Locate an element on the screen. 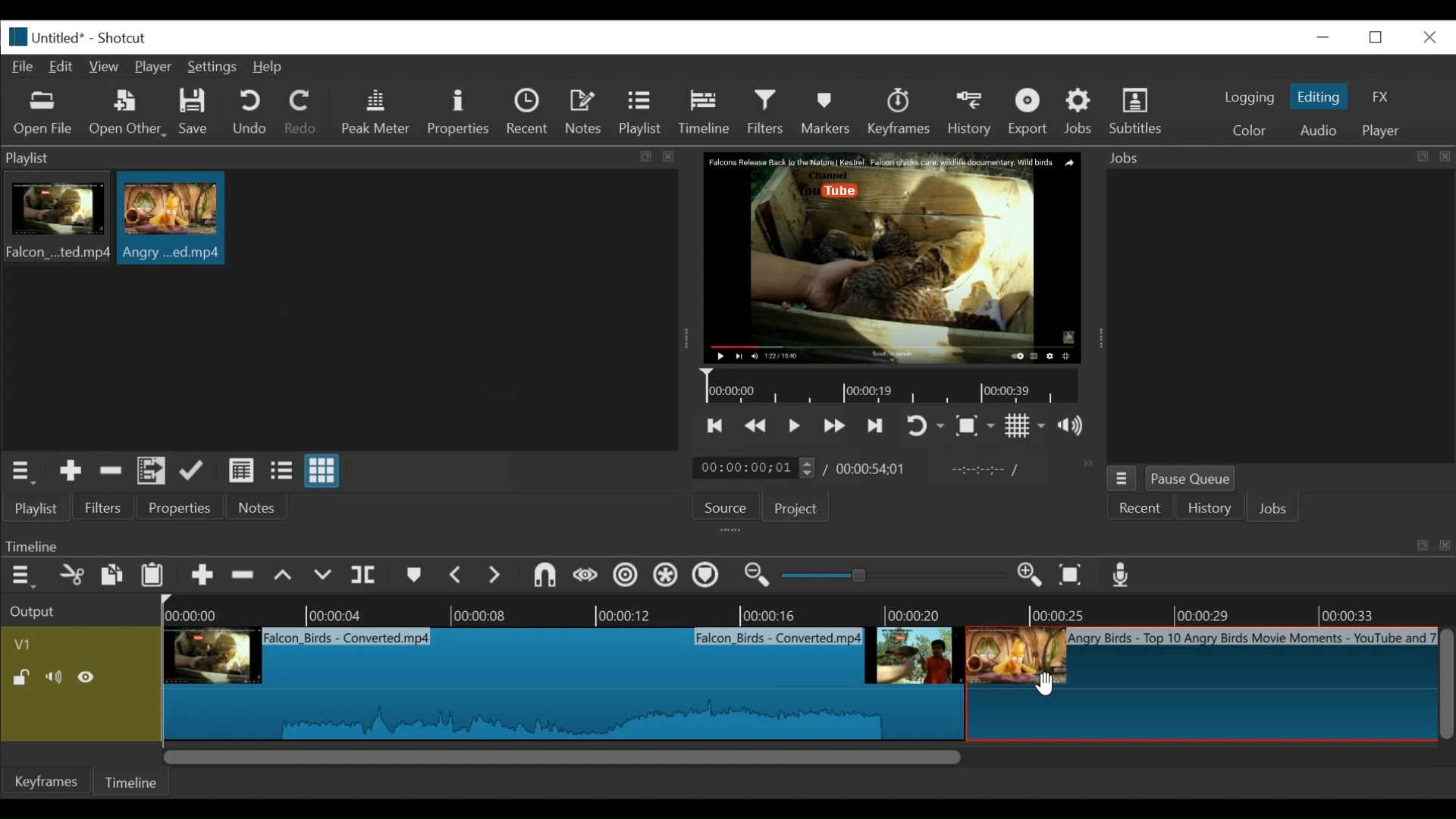 This screenshot has width=1456, height=819. Open file is located at coordinates (43, 114).